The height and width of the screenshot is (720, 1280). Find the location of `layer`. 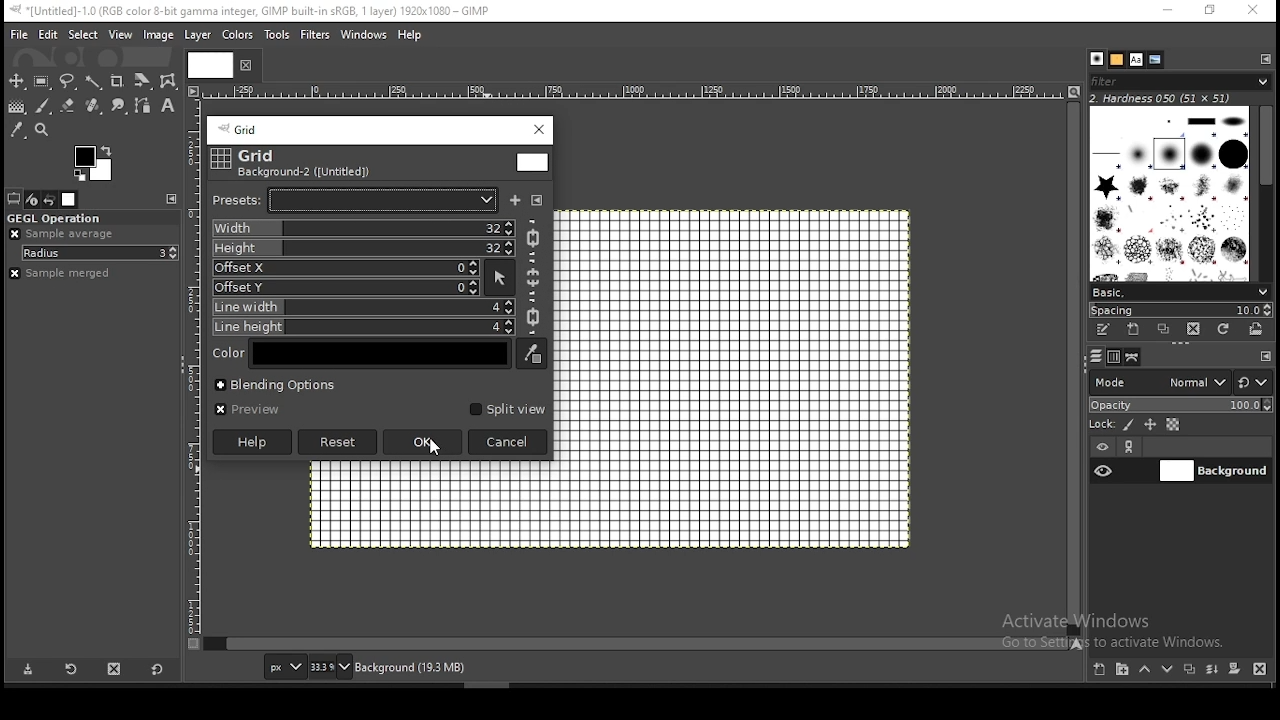

layer is located at coordinates (1214, 471).